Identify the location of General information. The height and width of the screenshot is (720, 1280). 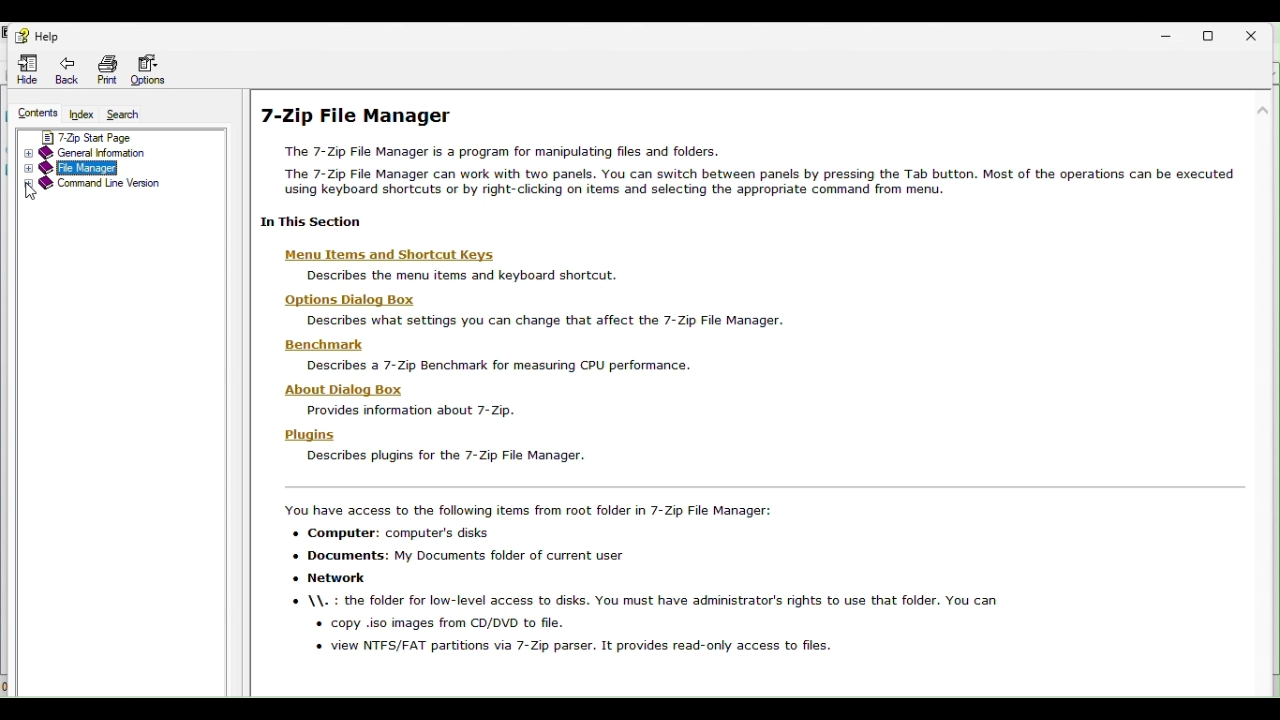
(99, 152).